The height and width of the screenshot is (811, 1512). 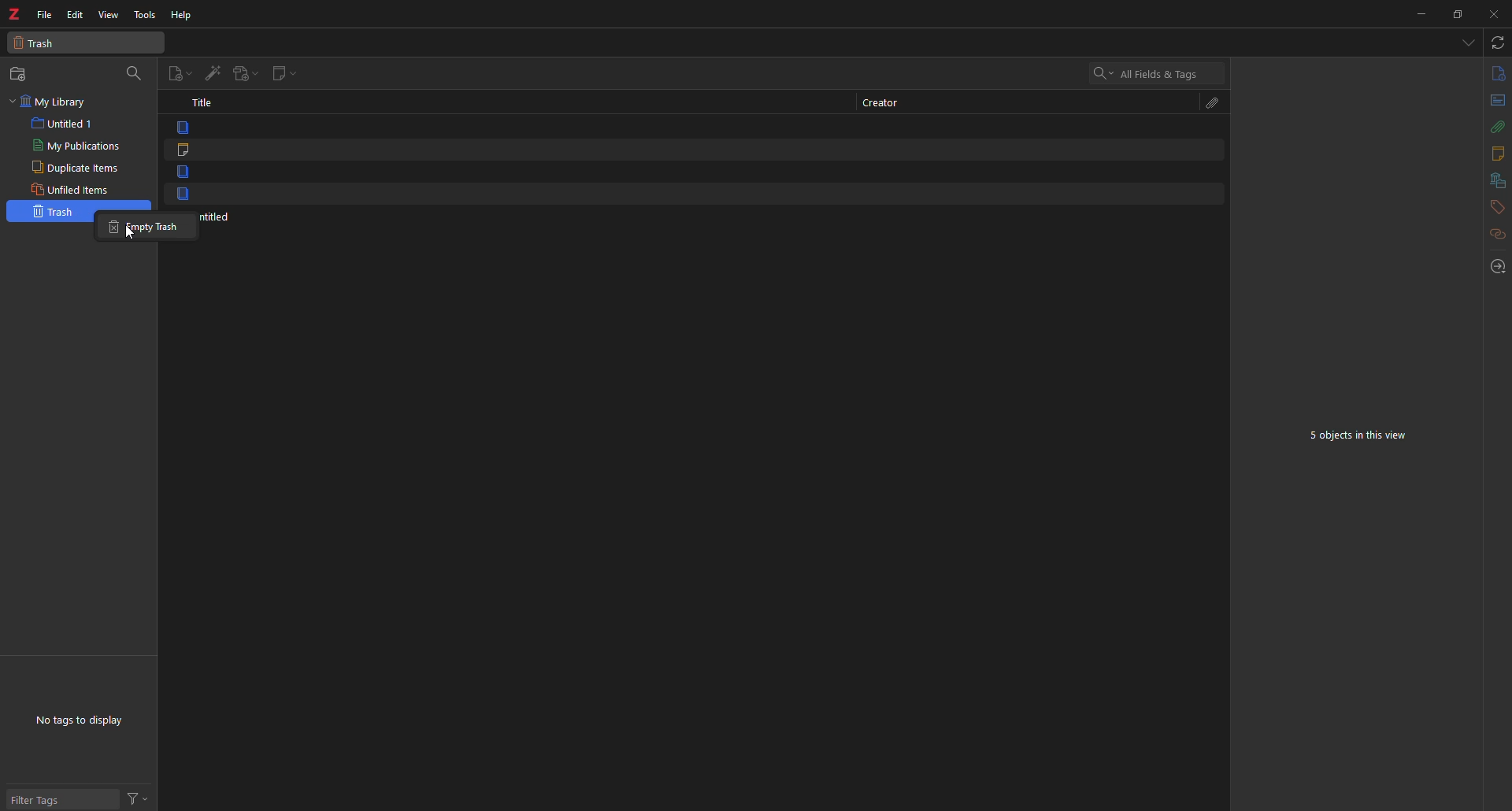 What do you see at coordinates (44, 14) in the screenshot?
I see `file` at bounding box center [44, 14].